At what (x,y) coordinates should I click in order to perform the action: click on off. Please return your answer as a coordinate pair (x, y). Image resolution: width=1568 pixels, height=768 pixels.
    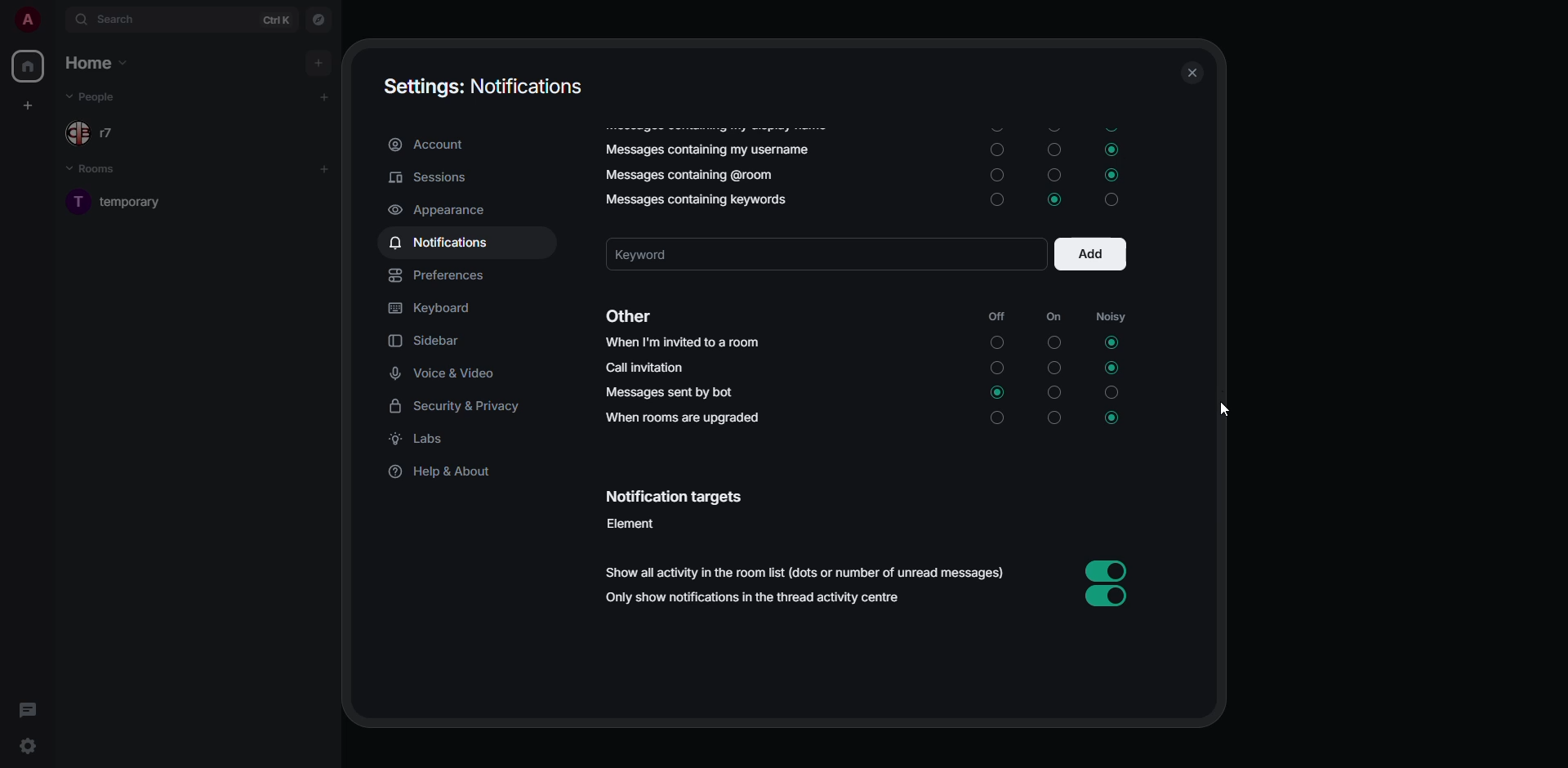
    Looking at the image, I should click on (994, 317).